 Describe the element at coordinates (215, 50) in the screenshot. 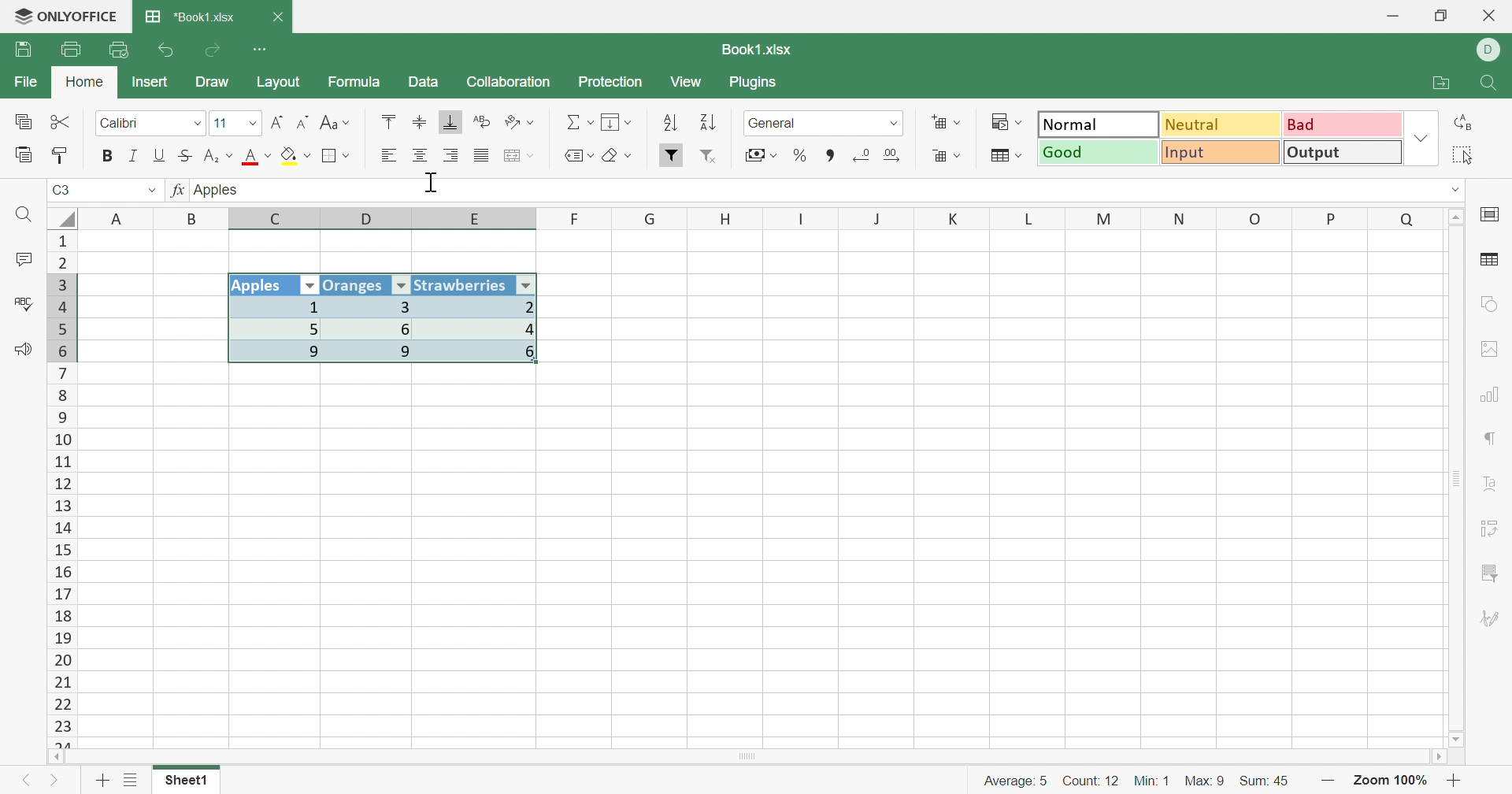

I see `Redo` at that location.